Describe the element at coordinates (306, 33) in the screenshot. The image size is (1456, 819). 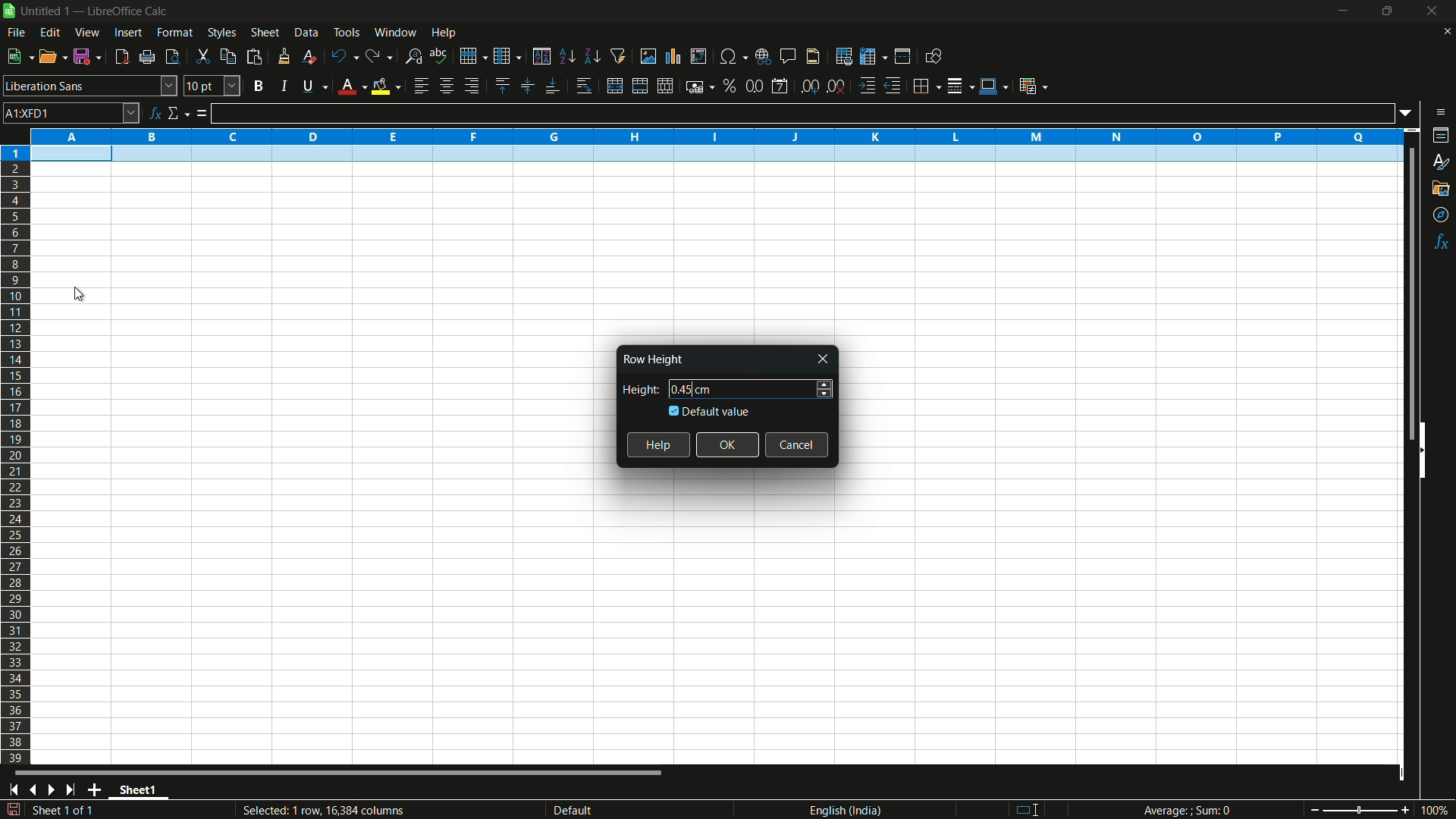
I see `data menu` at that location.